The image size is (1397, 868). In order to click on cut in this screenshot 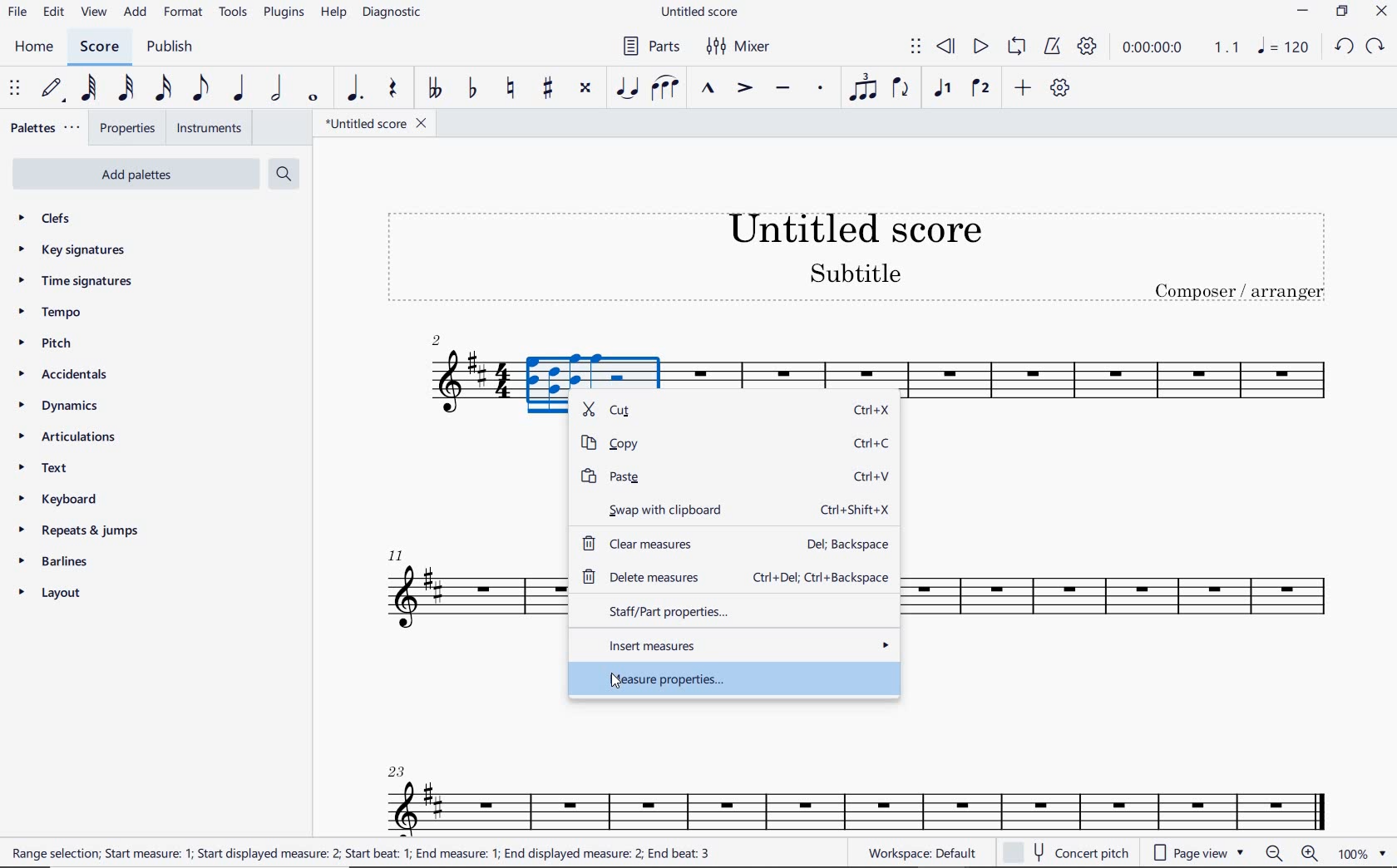, I will do `click(736, 411)`.